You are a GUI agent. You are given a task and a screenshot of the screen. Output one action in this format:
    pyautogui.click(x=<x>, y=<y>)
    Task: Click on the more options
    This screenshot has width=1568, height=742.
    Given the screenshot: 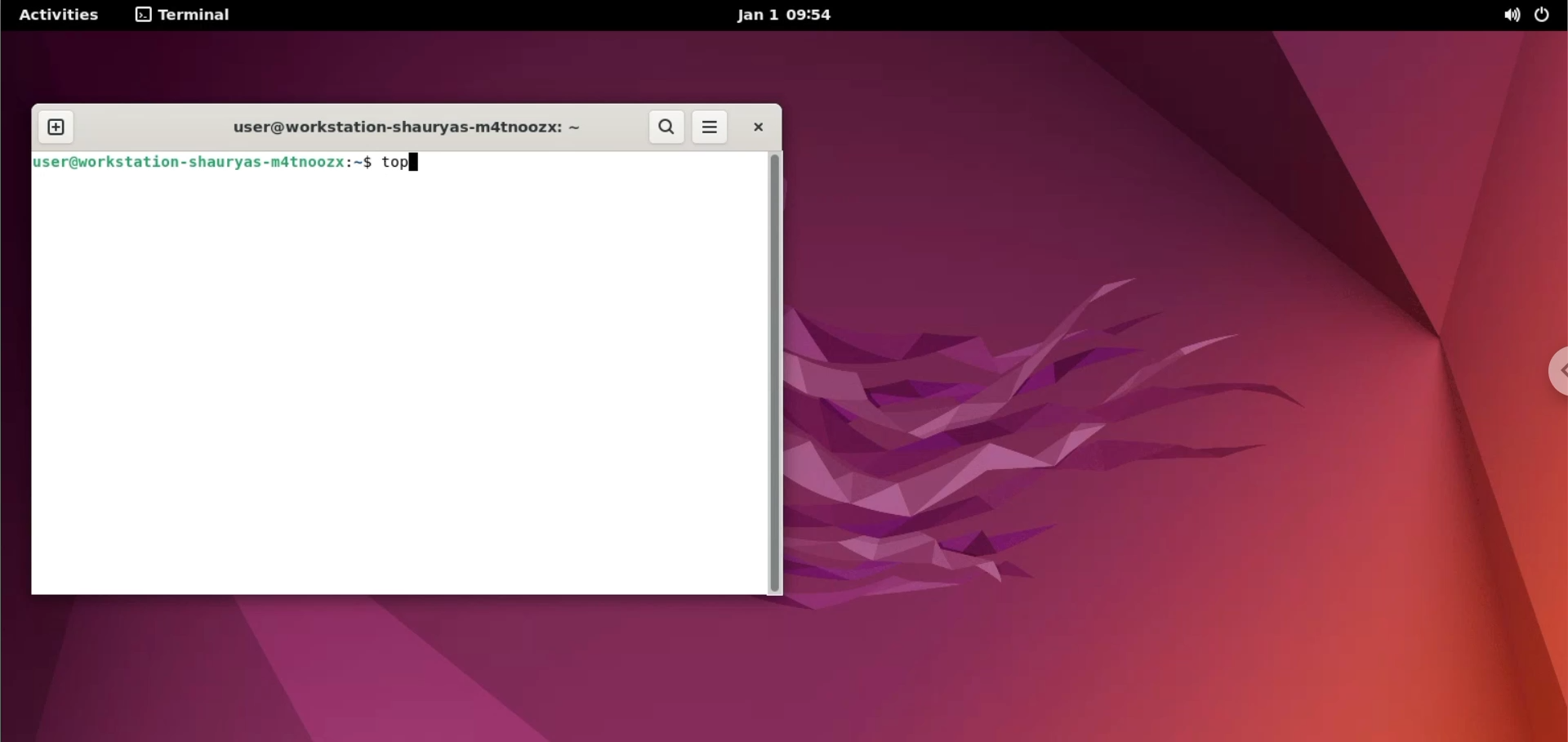 What is the action you would take?
    pyautogui.click(x=710, y=127)
    